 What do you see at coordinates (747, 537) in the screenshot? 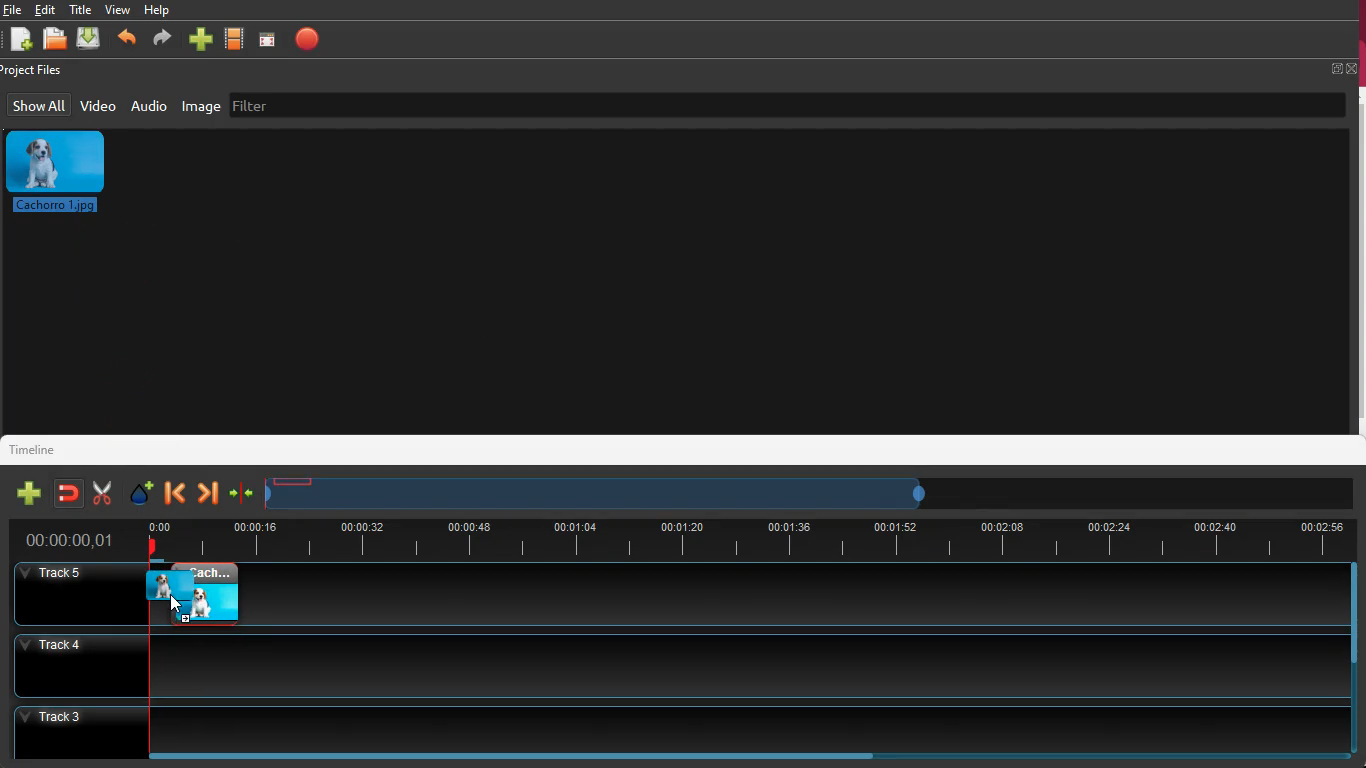
I see `time` at bounding box center [747, 537].